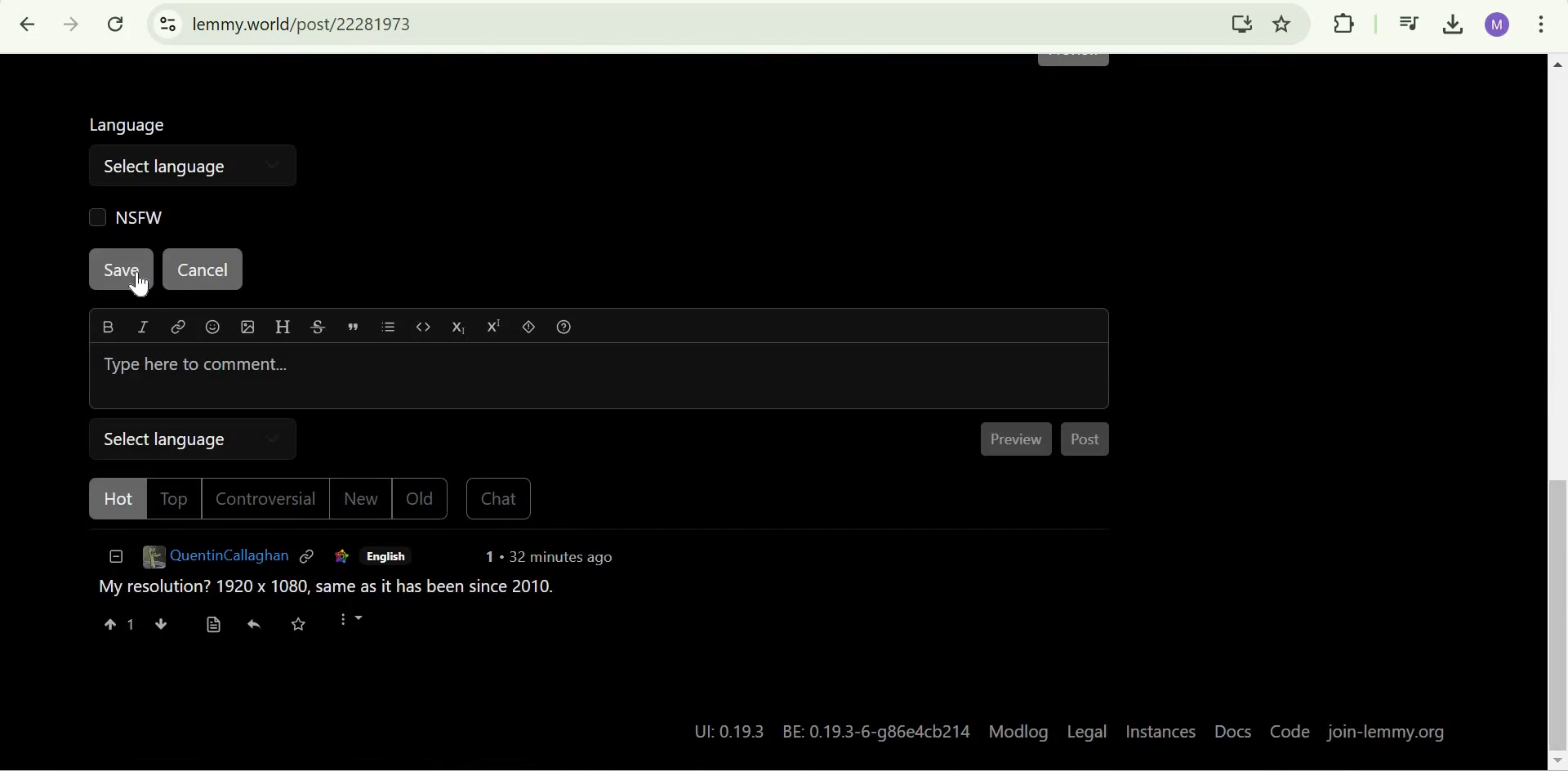 This screenshot has height=771, width=1568. What do you see at coordinates (497, 329) in the screenshot?
I see `` at bounding box center [497, 329].